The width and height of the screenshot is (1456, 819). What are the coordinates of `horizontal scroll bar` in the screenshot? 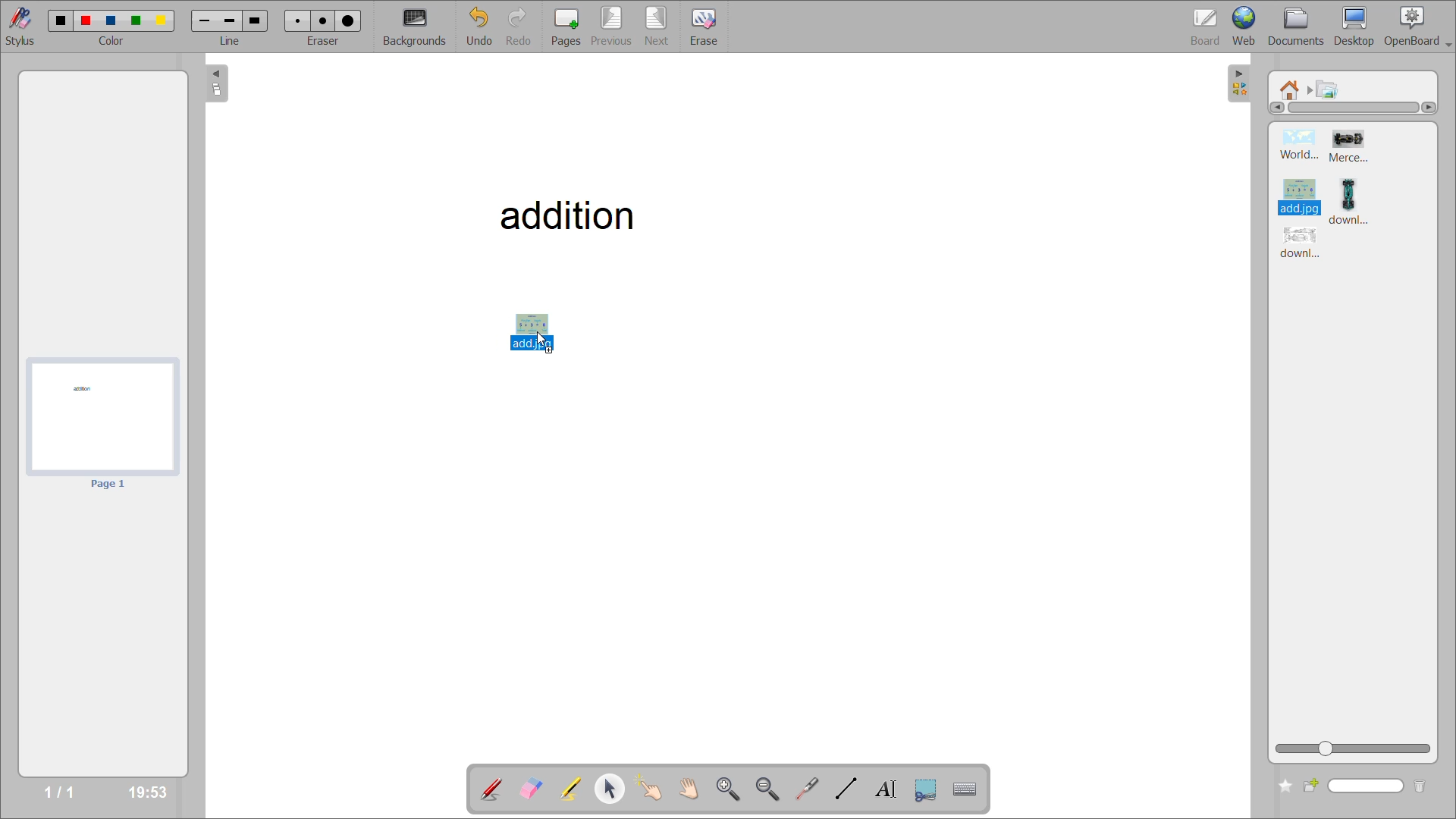 It's located at (1351, 108).